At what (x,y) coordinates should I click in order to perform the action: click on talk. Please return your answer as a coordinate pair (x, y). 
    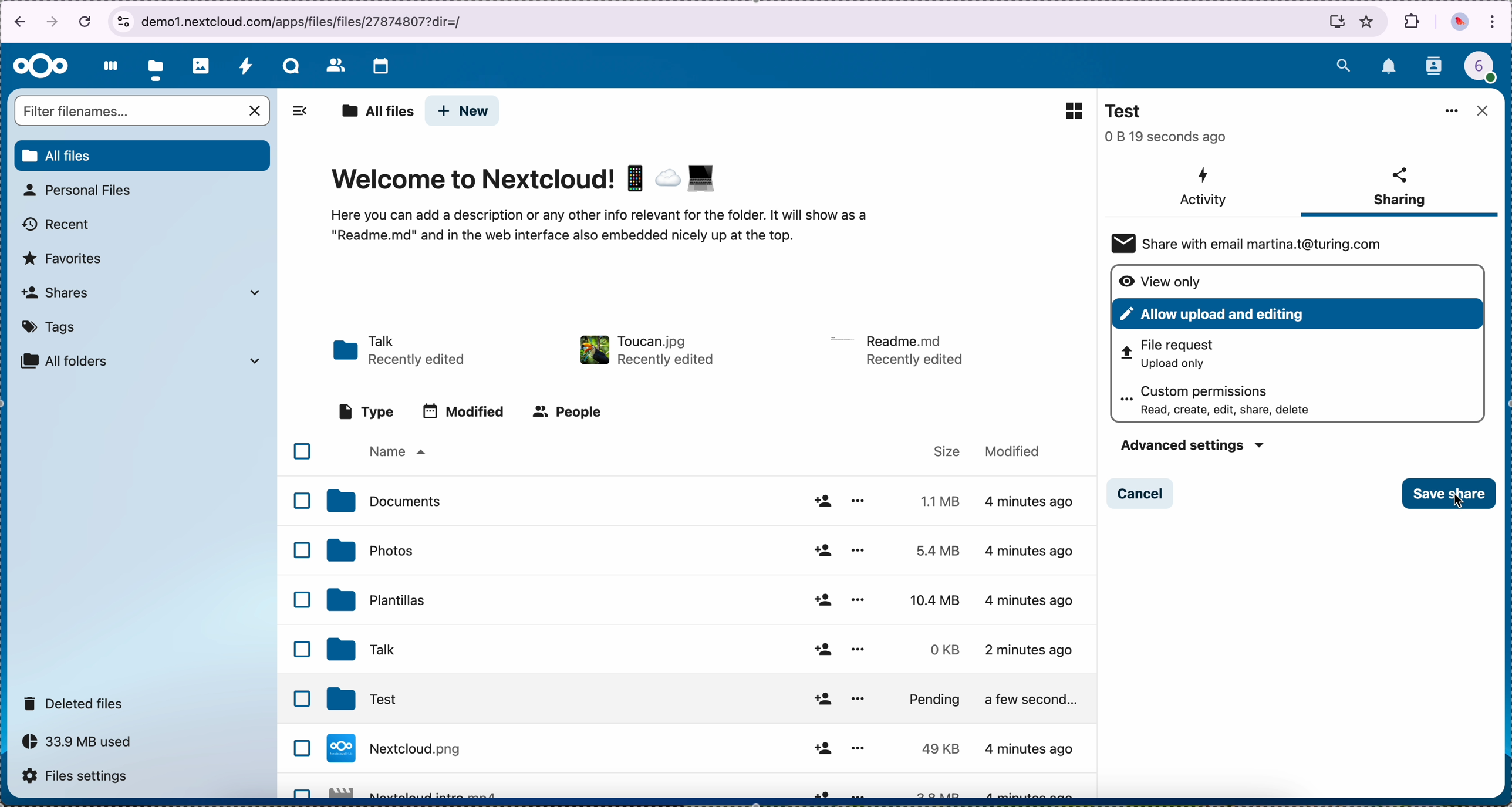
    Looking at the image, I should click on (291, 66).